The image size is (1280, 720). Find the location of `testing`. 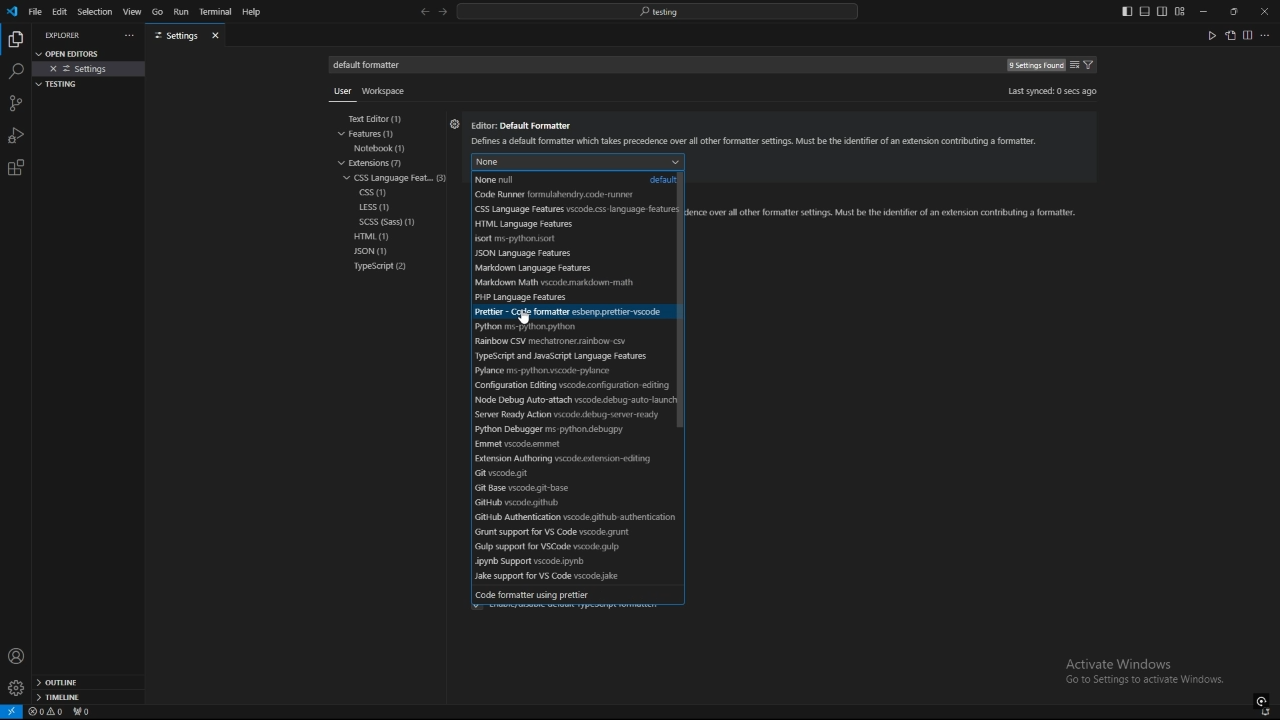

testing is located at coordinates (61, 84).